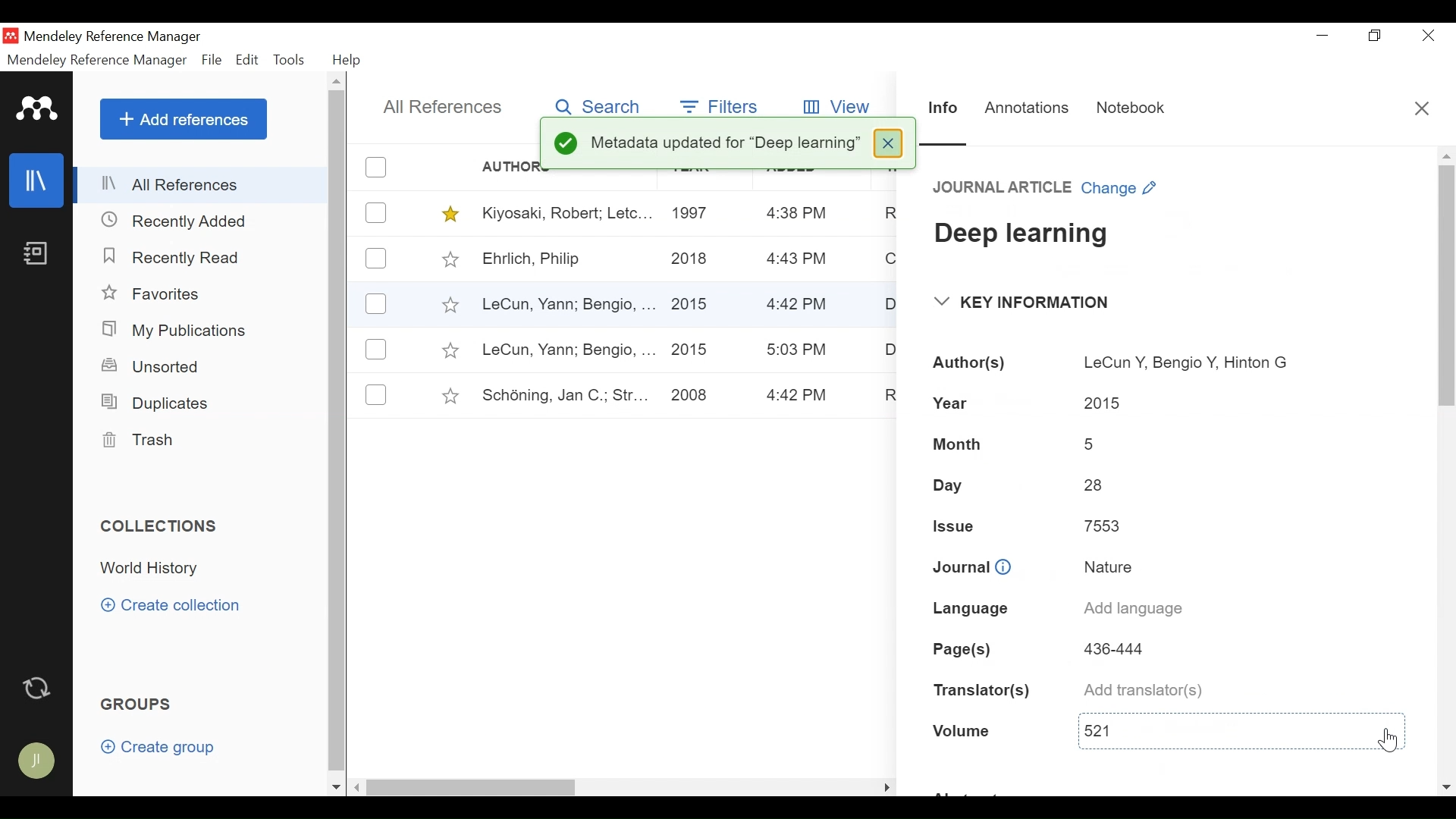  I want to click on Duplicates, so click(152, 402).